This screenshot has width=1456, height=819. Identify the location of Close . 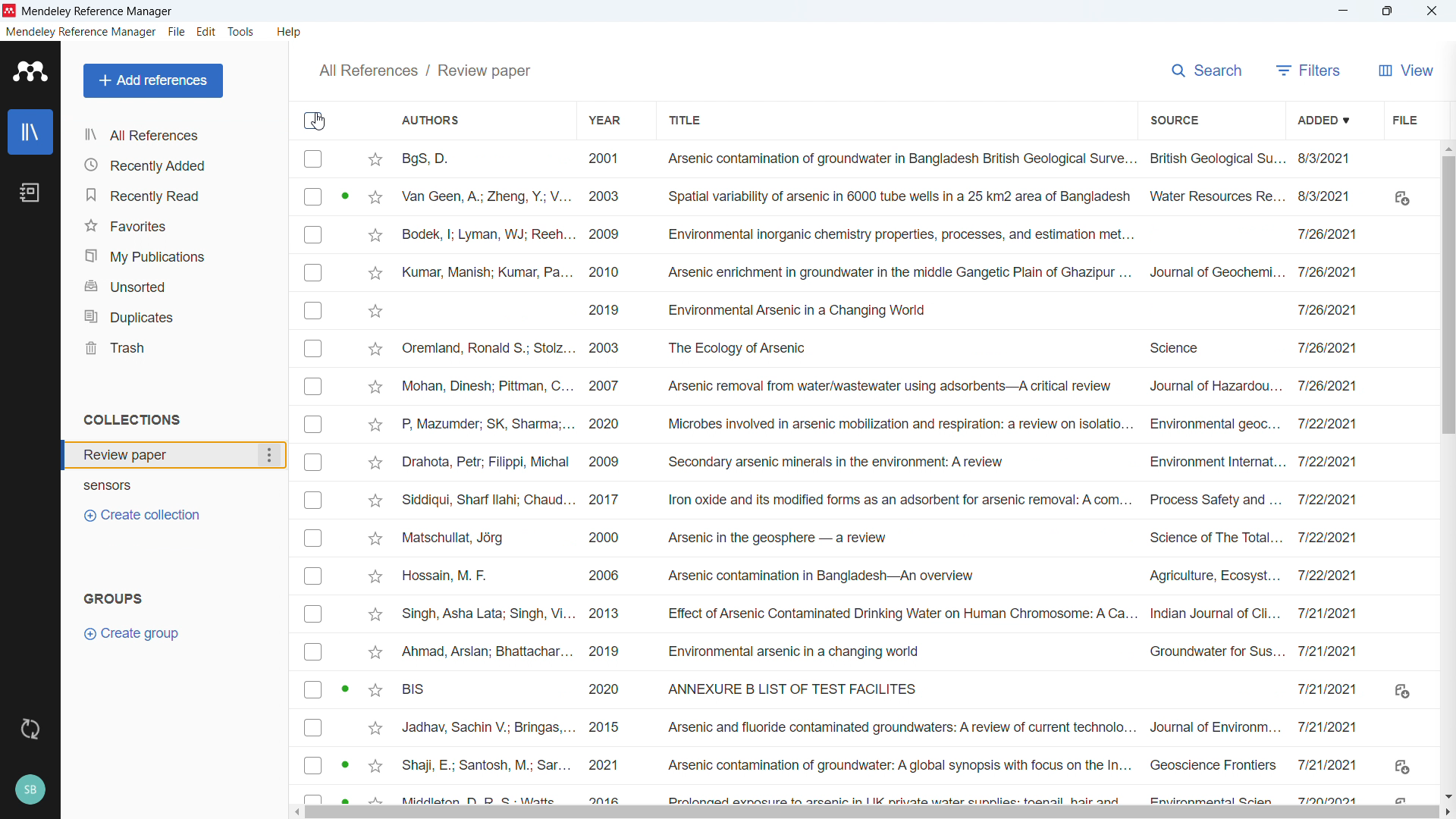
(1432, 11).